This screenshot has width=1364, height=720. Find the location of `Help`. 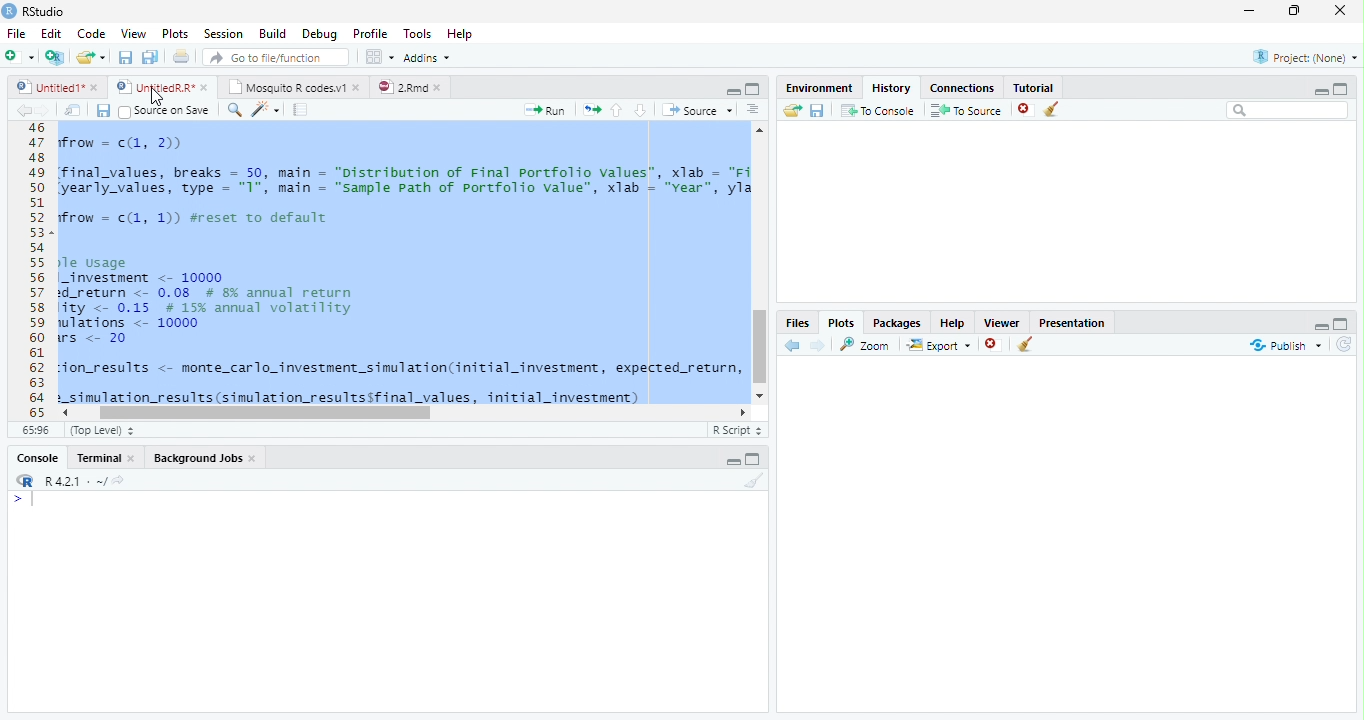

Help is located at coordinates (462, 35).